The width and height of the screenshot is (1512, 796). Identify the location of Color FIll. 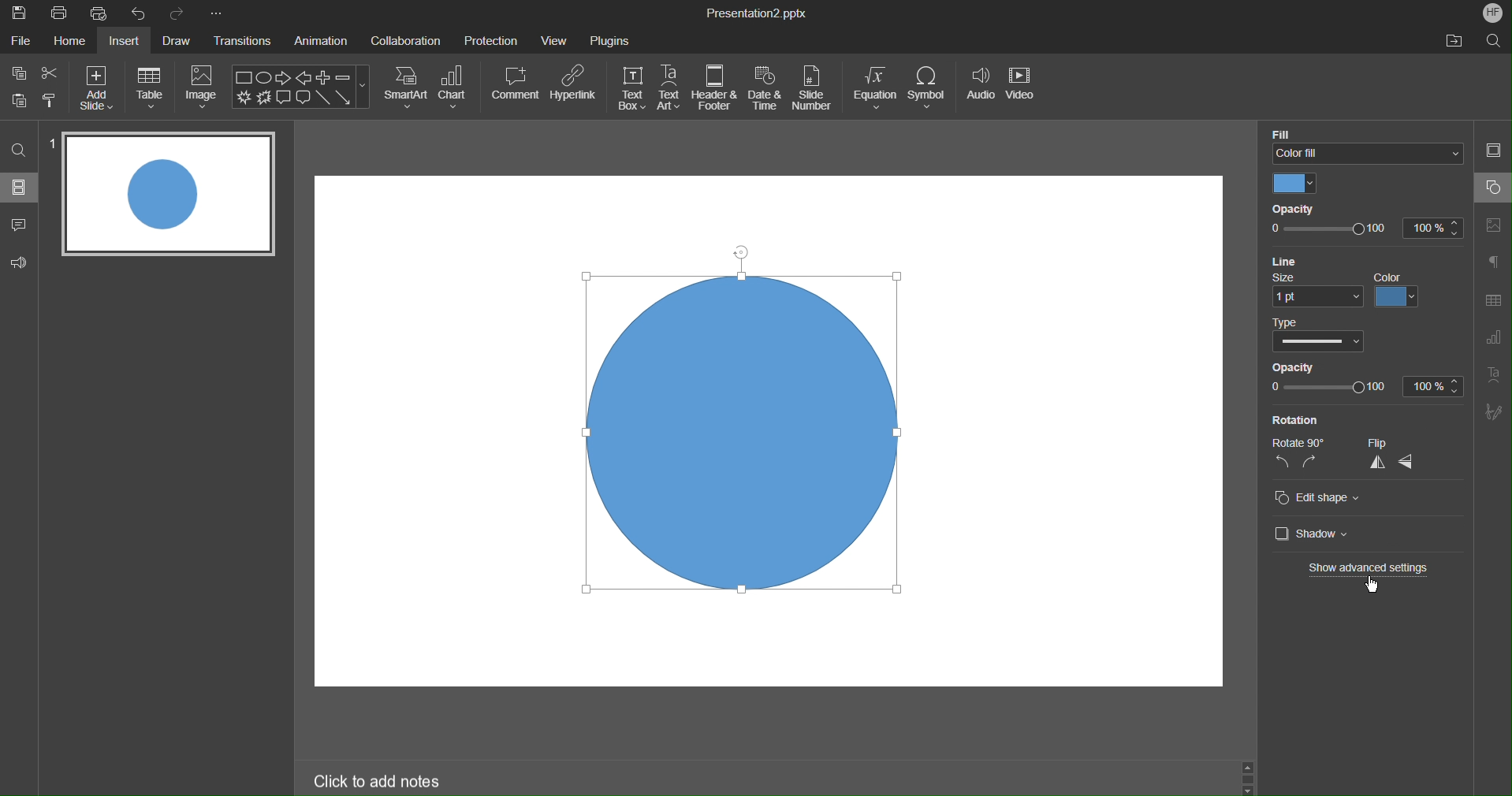
(1364, 143).